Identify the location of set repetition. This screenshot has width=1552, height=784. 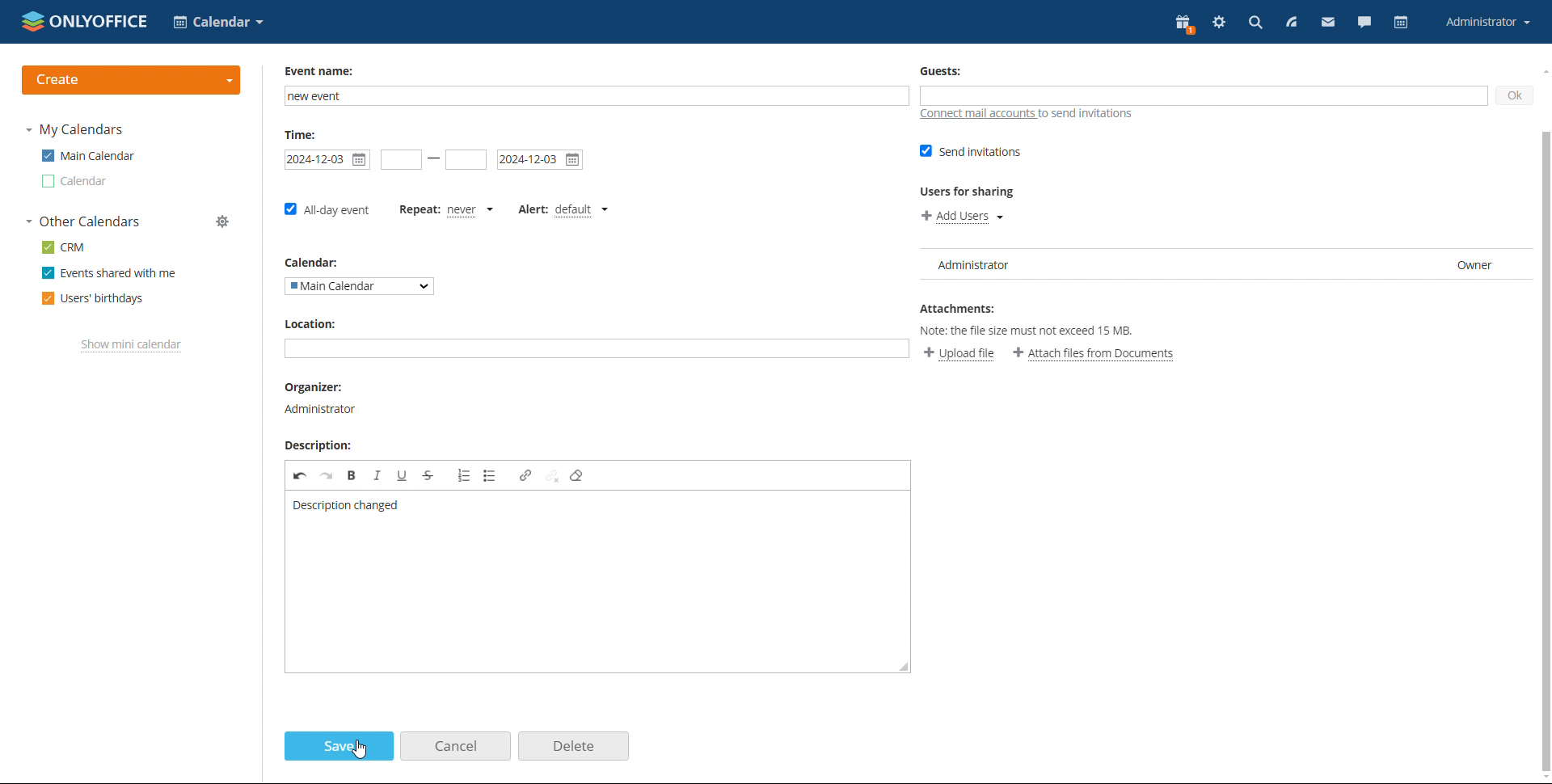
(415, 210).